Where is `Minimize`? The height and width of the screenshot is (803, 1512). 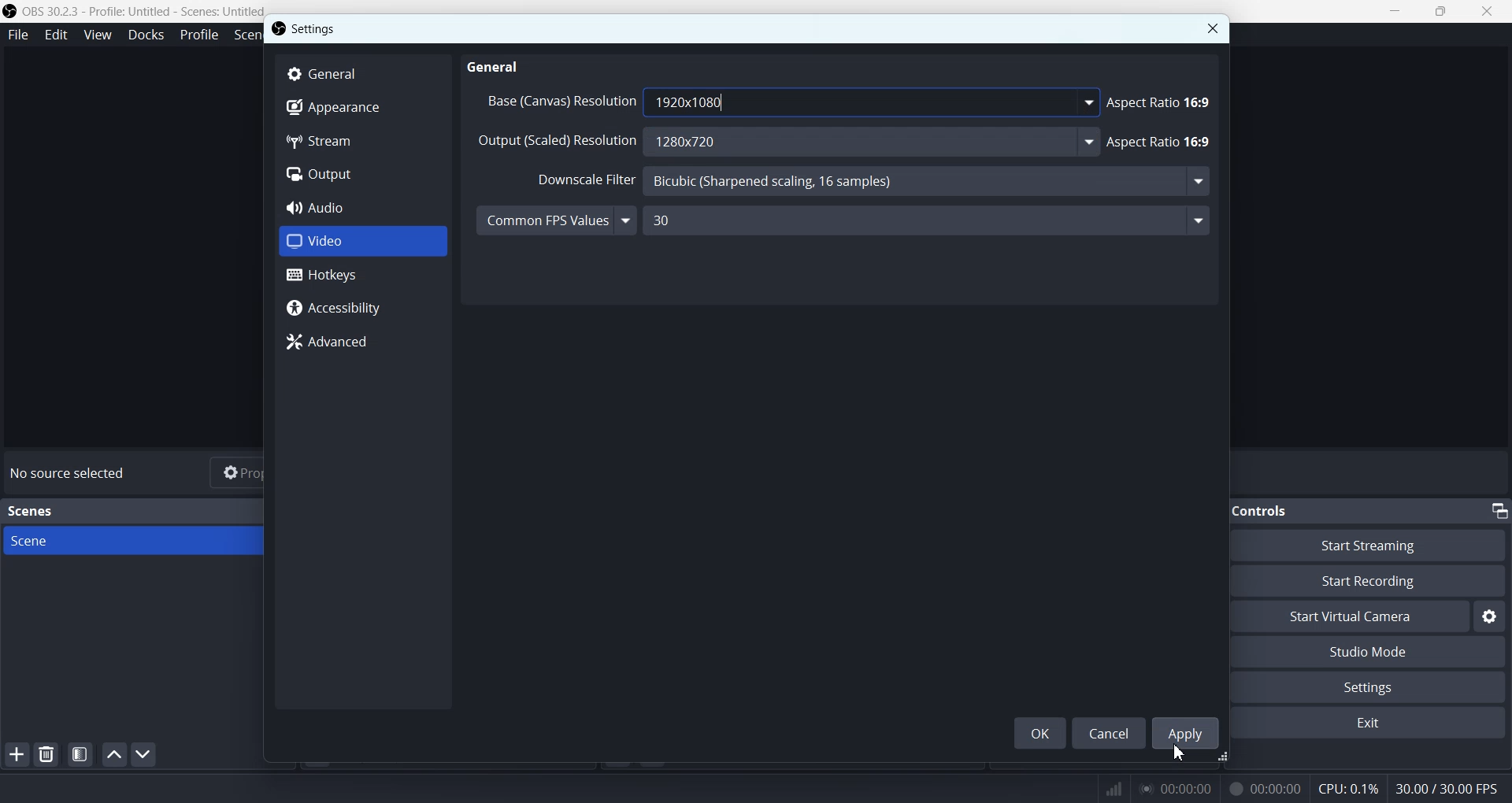
Minimize is located at coordinates (1395, 10).